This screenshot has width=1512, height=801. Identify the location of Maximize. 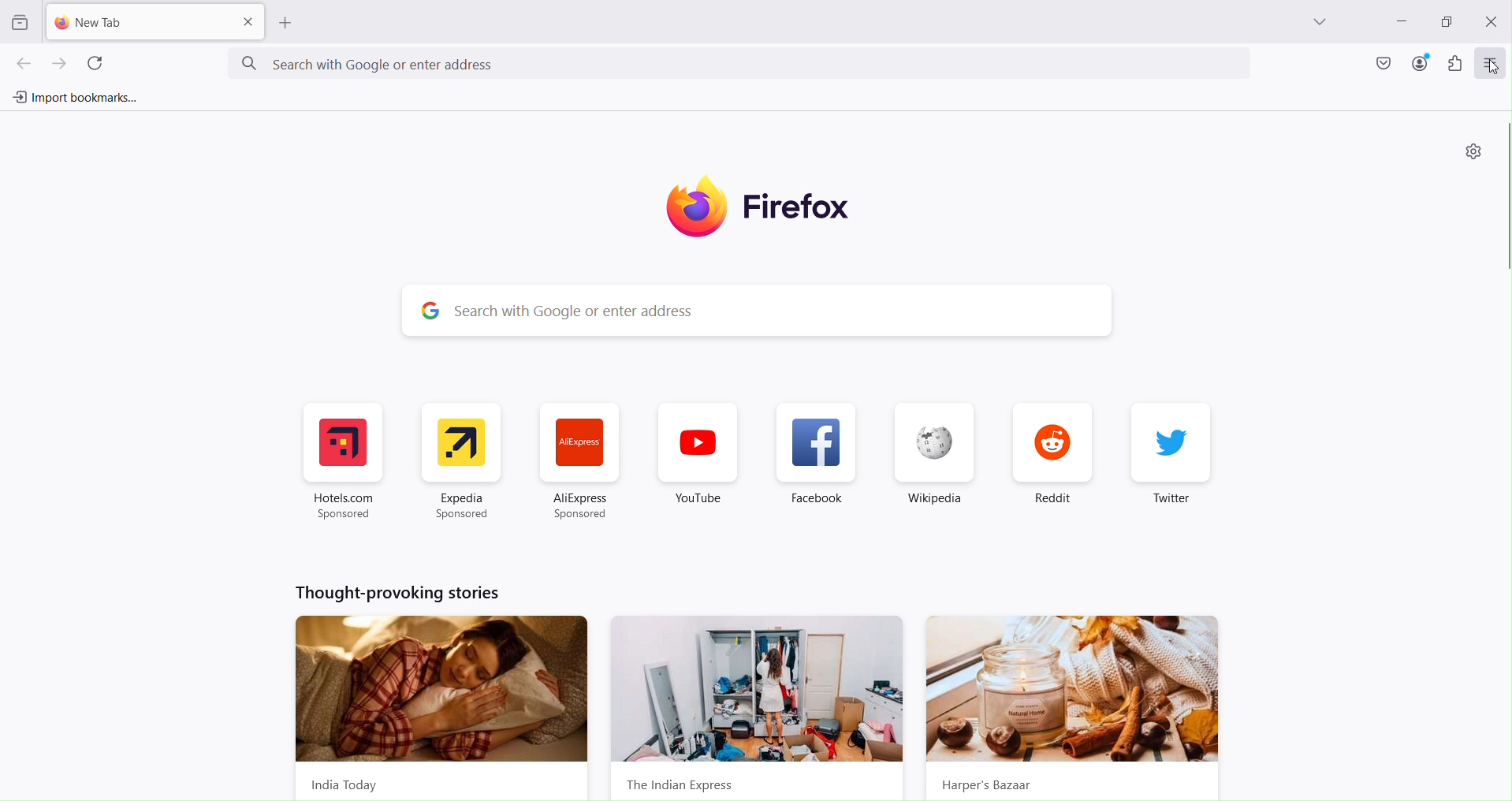
(1446, 20).